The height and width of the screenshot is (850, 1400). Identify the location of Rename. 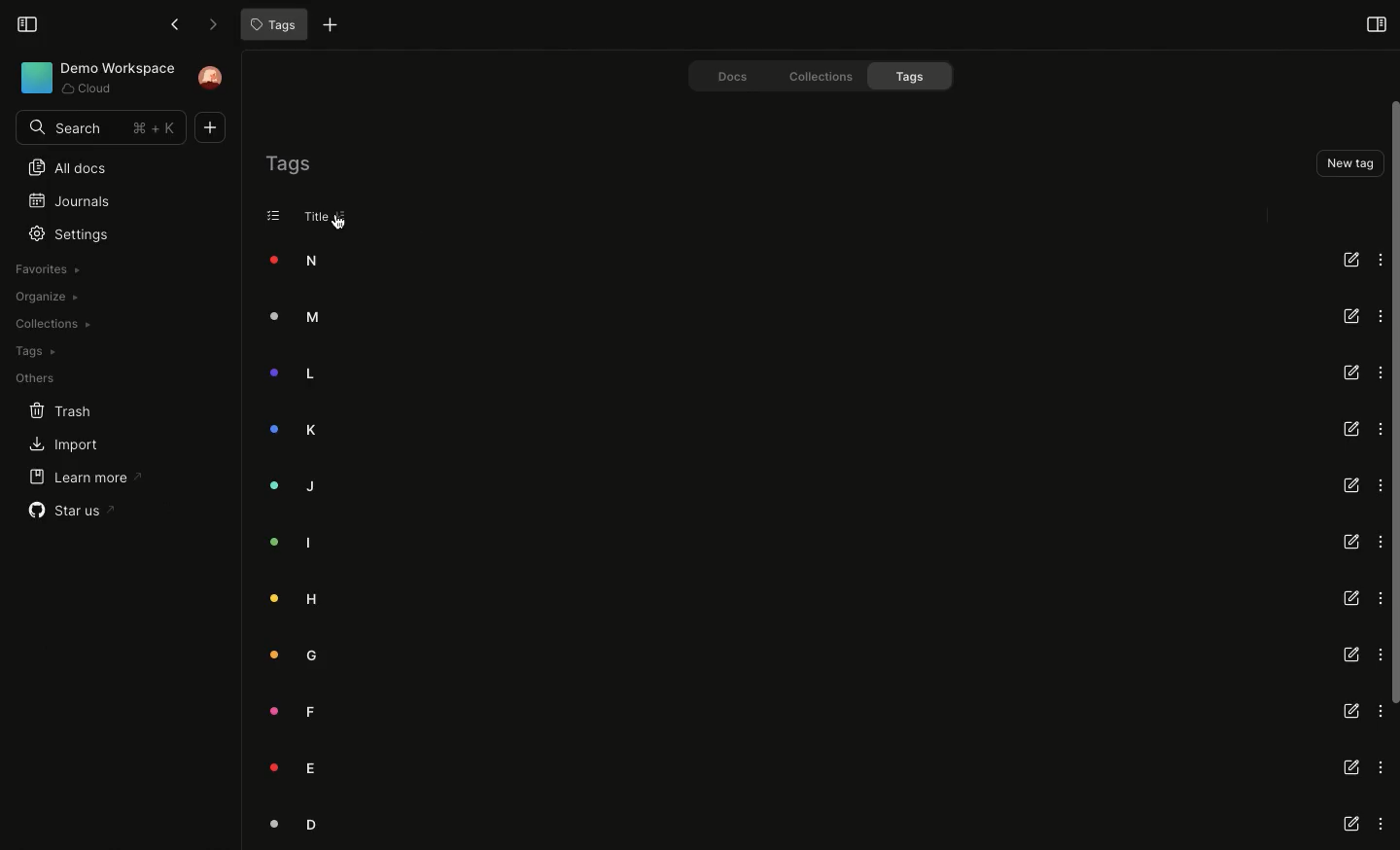
(1349, 655).